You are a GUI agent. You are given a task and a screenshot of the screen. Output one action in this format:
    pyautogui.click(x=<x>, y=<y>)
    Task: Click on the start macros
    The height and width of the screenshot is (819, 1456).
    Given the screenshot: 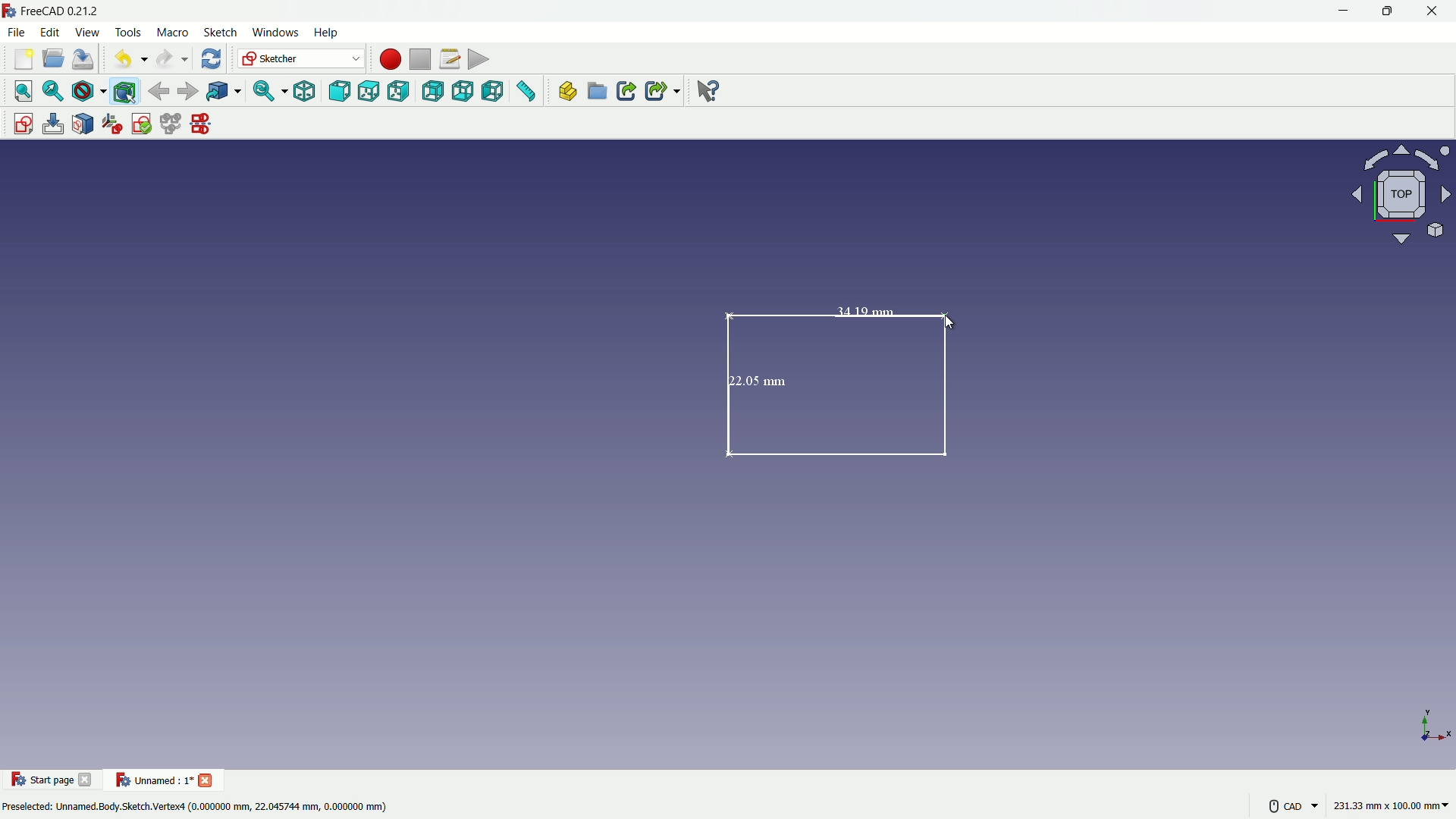 What is the action you would take?
    pyautogui.click(x=388, y=58)
    